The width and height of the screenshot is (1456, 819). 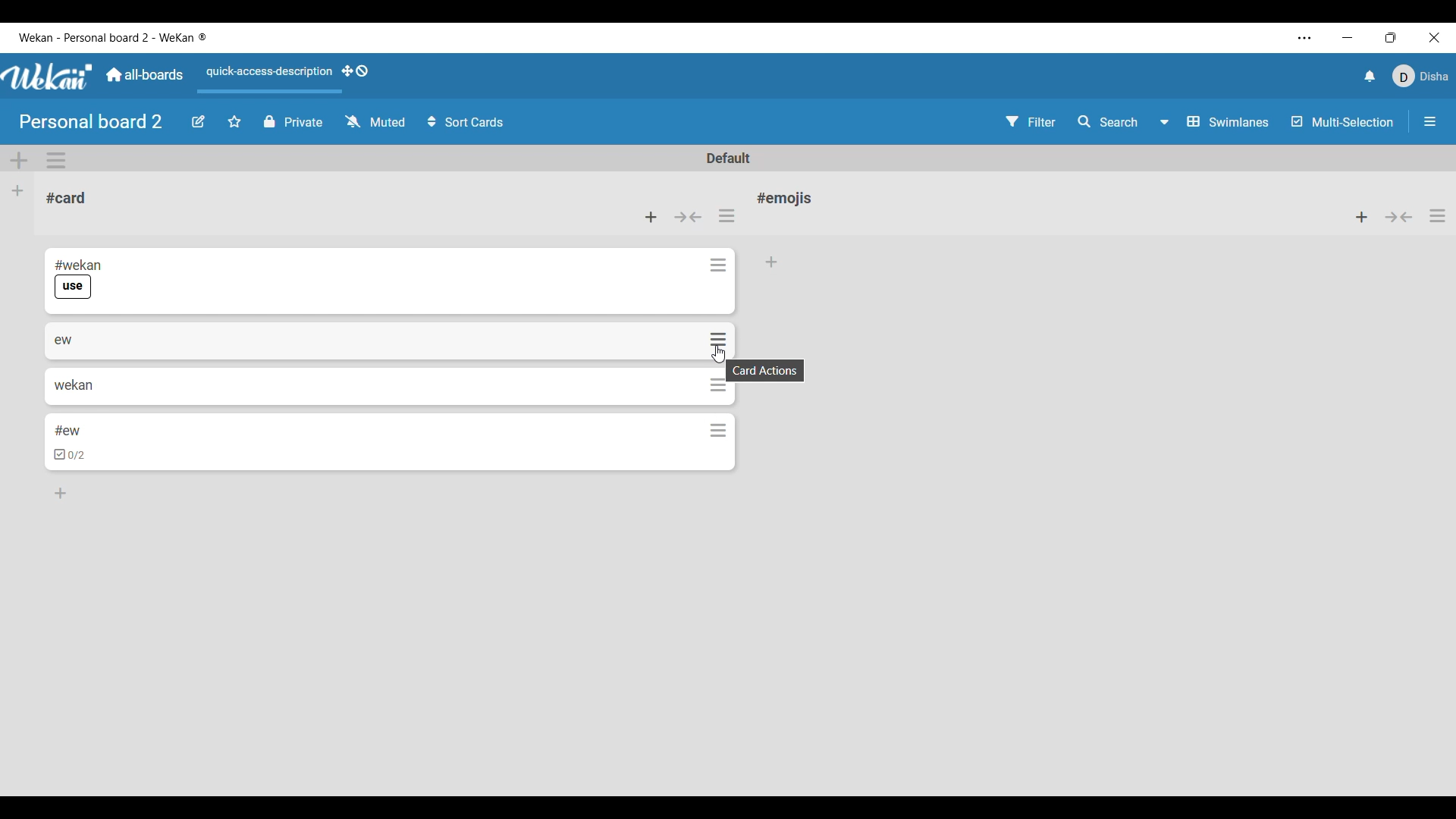 I want to click on Collapse, so click(x=689, y=217).